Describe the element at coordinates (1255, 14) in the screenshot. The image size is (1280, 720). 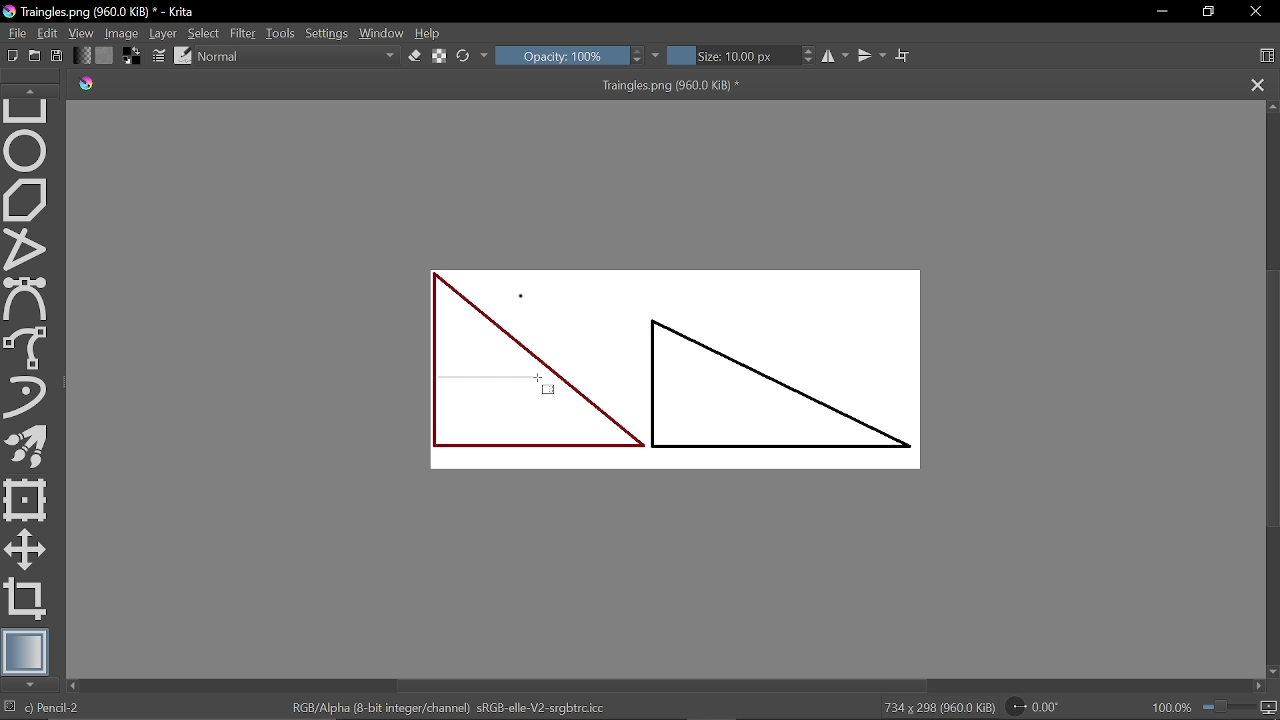
I see `Close` at that location.